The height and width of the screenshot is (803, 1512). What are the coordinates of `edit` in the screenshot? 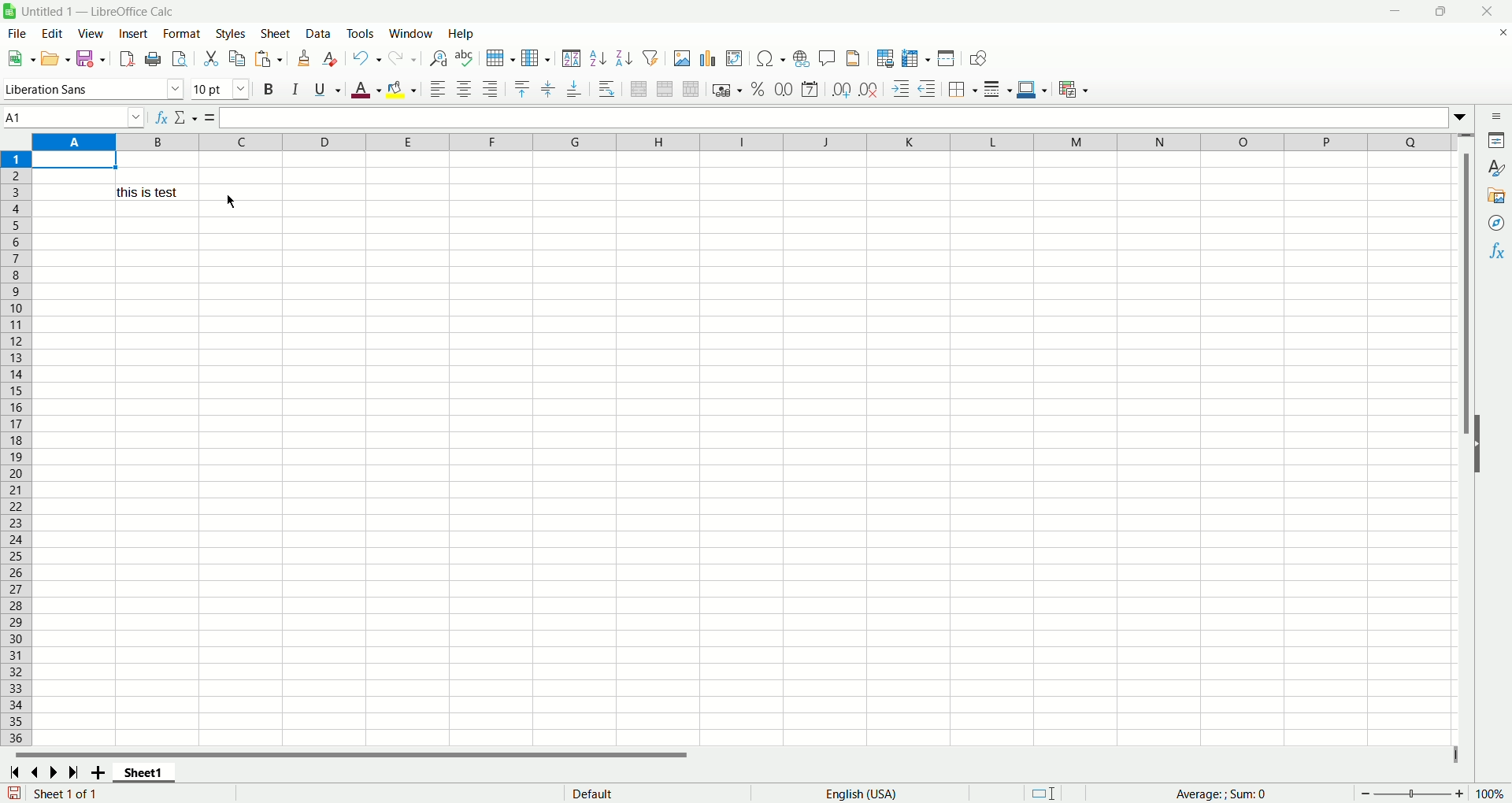 It's located at (56, 34).